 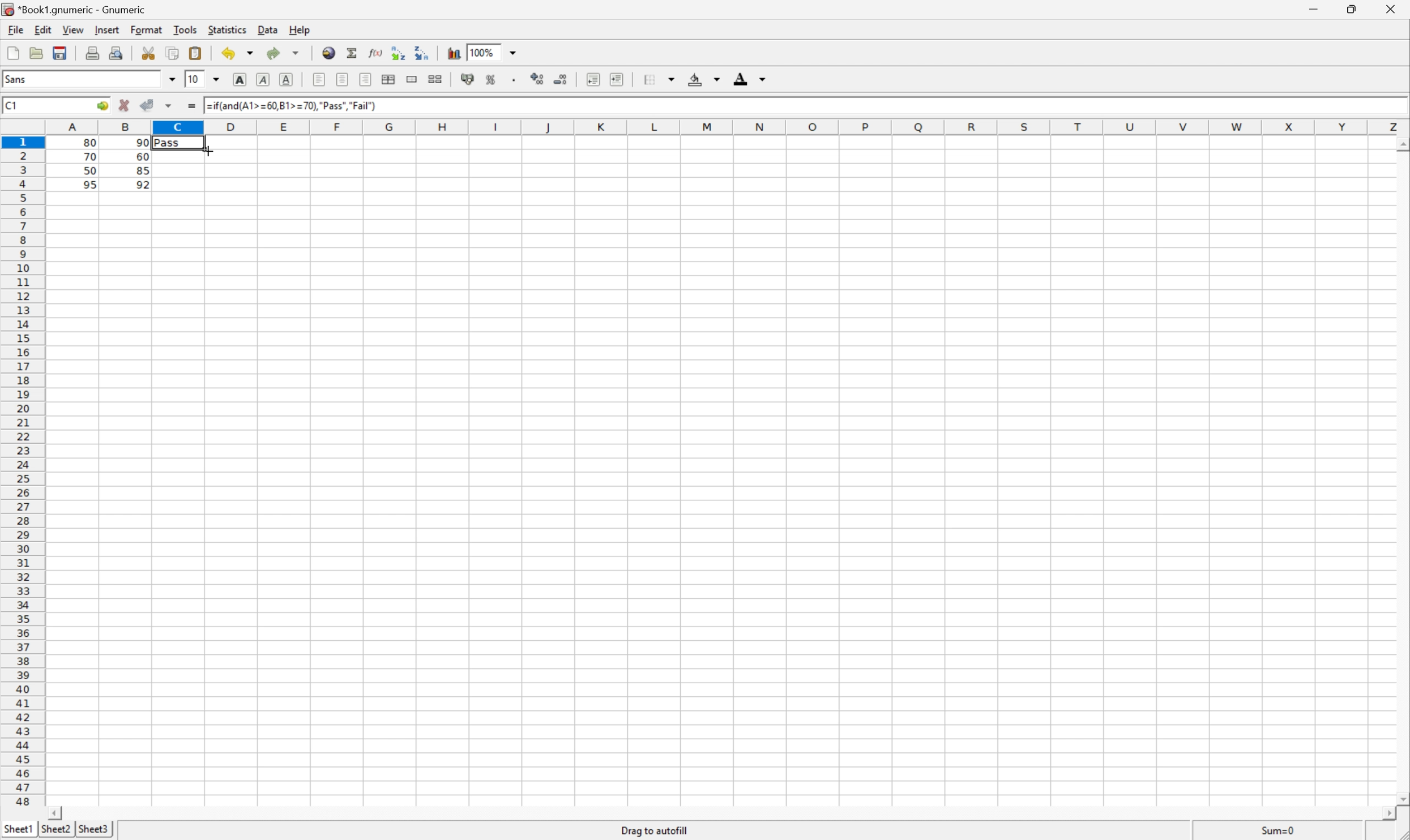 What do you see at coordinates (343, 80) in the screenshot?
I see `Center horizontally` at bounding box center [343, 80].